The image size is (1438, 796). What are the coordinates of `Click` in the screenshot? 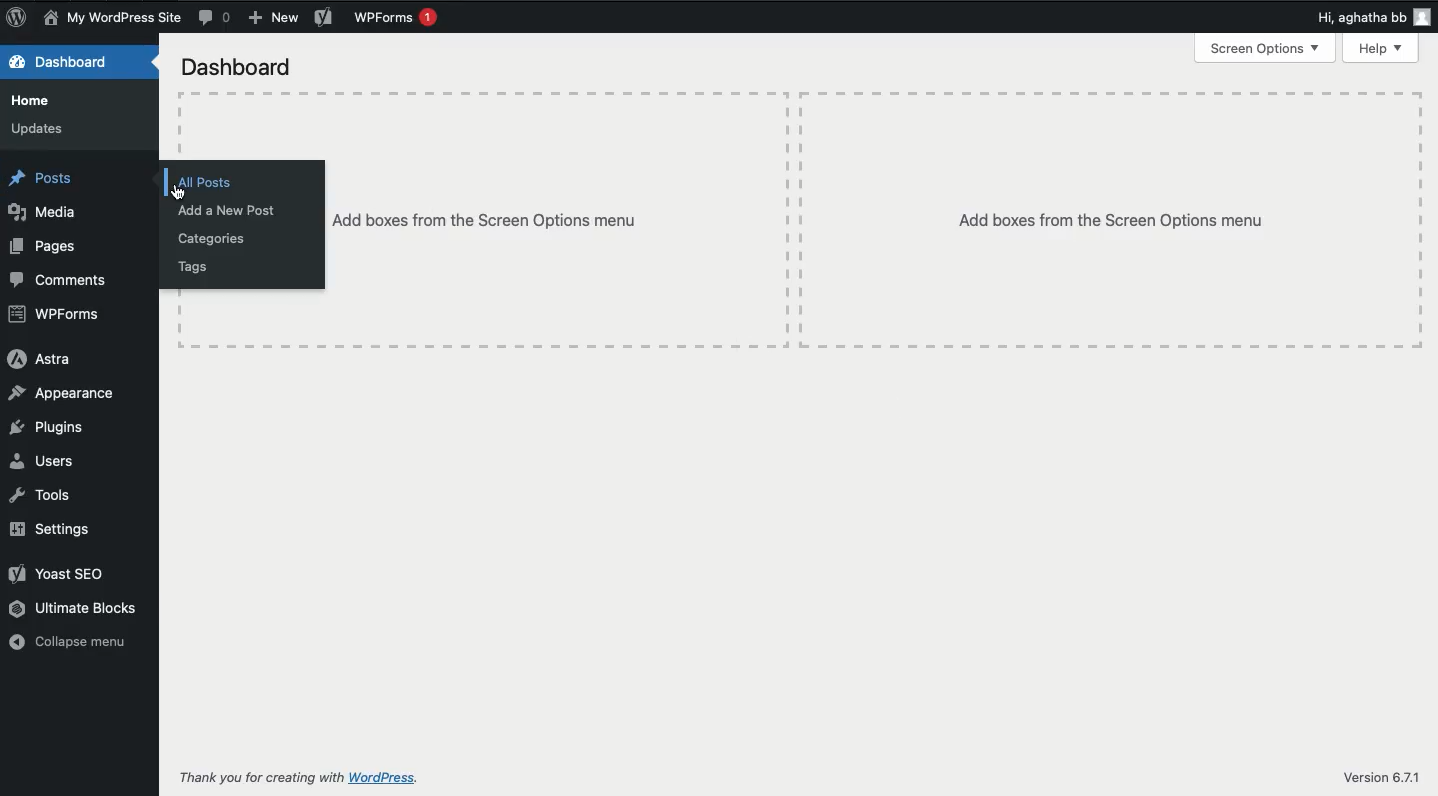 It's located at (182, 192).